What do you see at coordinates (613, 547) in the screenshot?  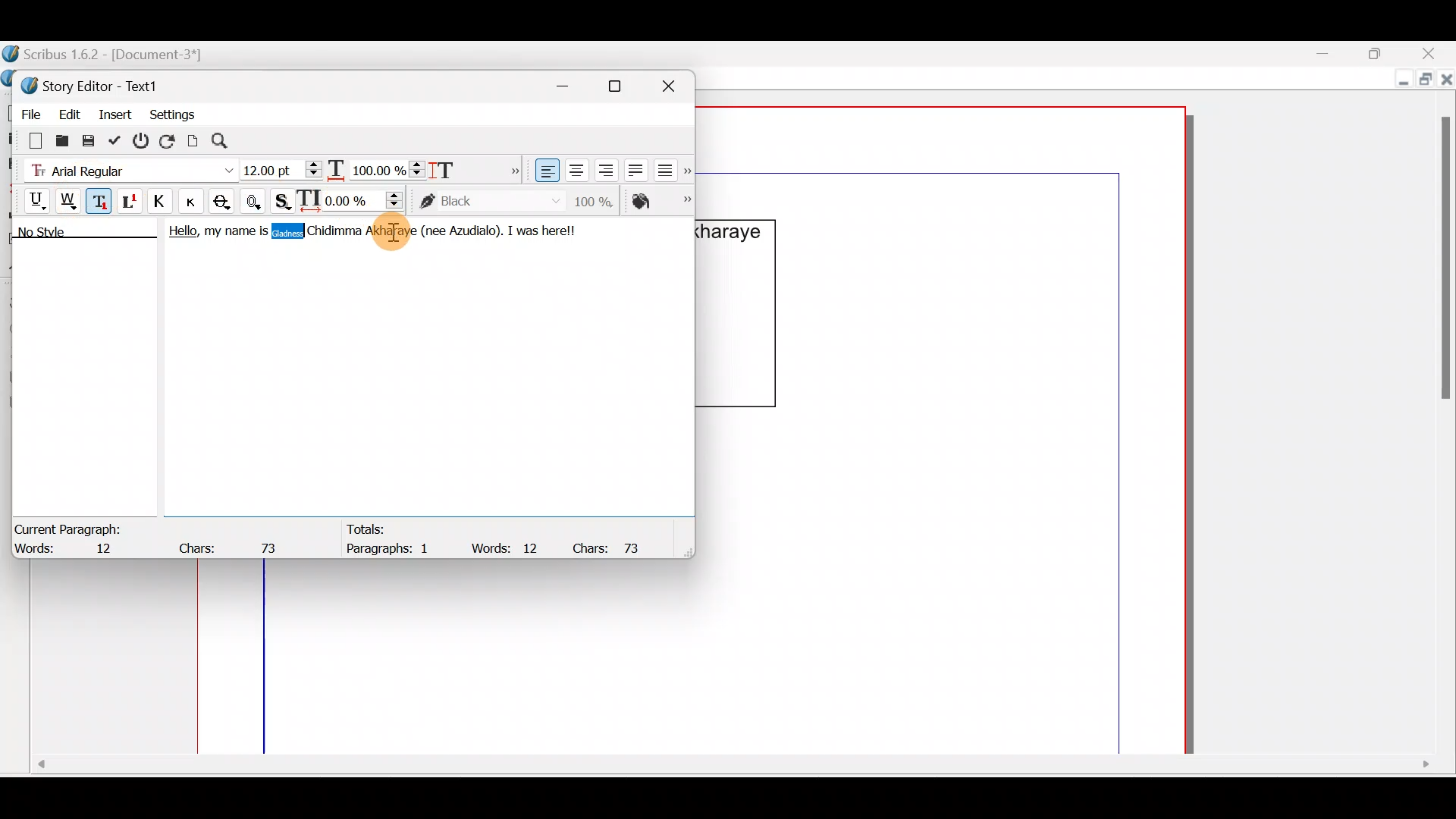 I see `Chars: 73` at bounding box center [613, 547].